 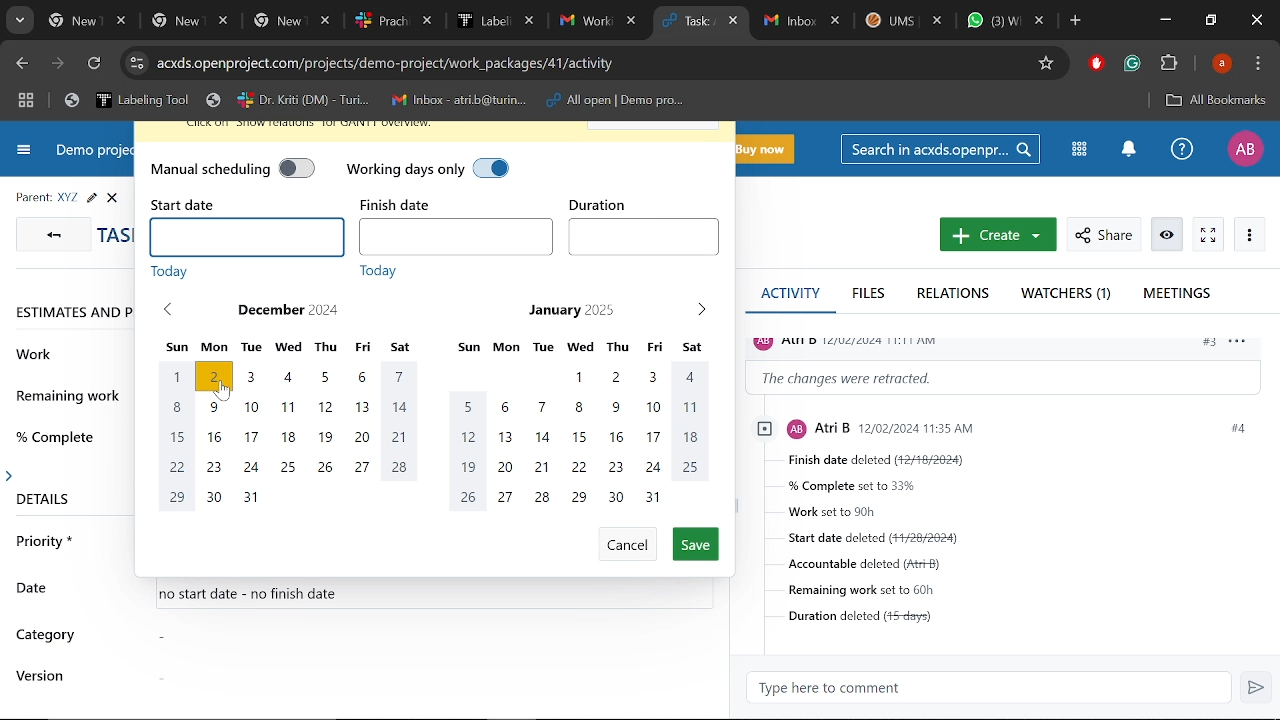 What do you see at coordinates (1006, 377) in the screenshot?
I see `Change information` at bounding box center [1006, 377].